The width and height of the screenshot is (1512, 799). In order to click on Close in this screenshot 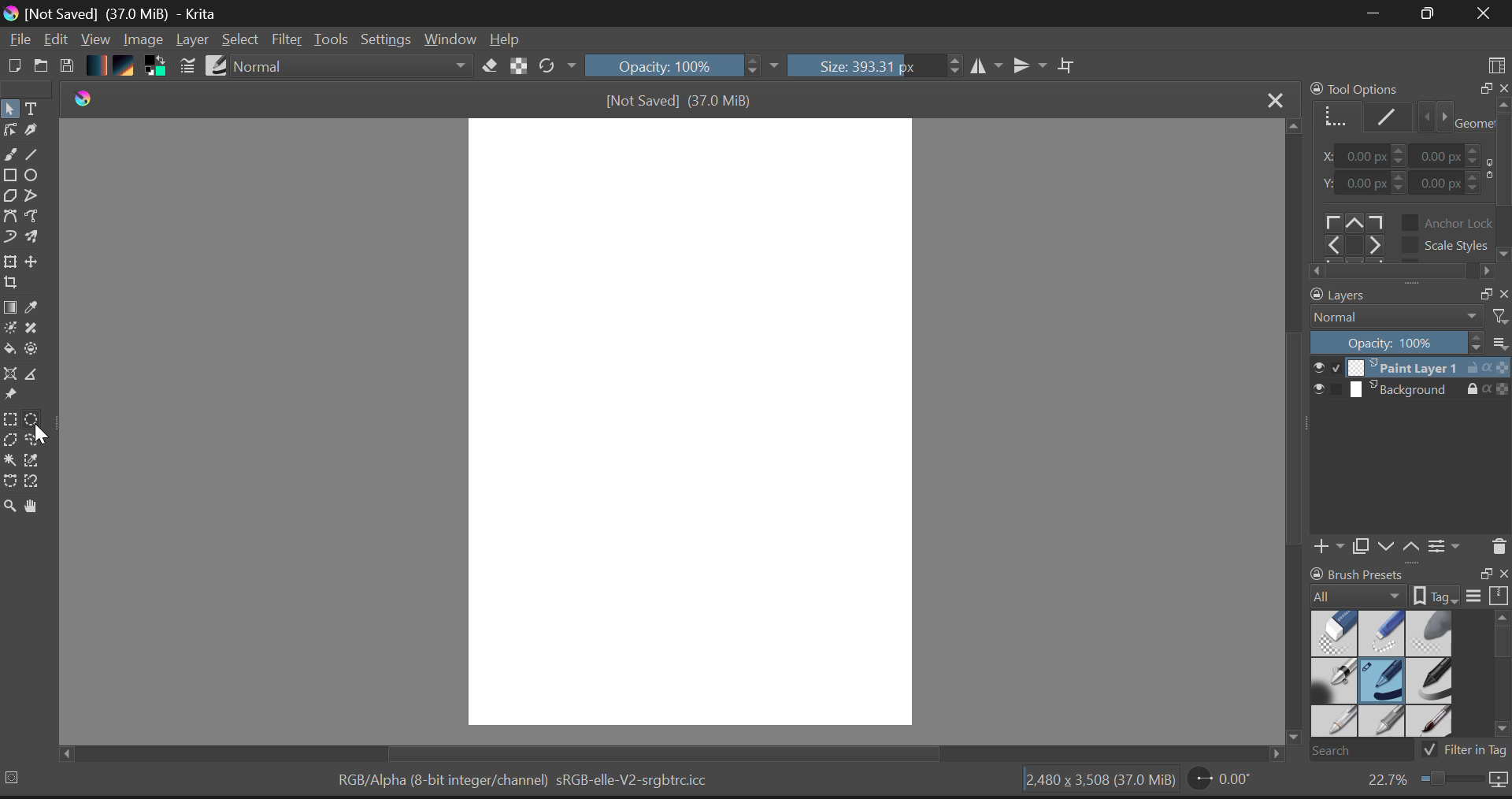, I will do `click(1271, 98)`.